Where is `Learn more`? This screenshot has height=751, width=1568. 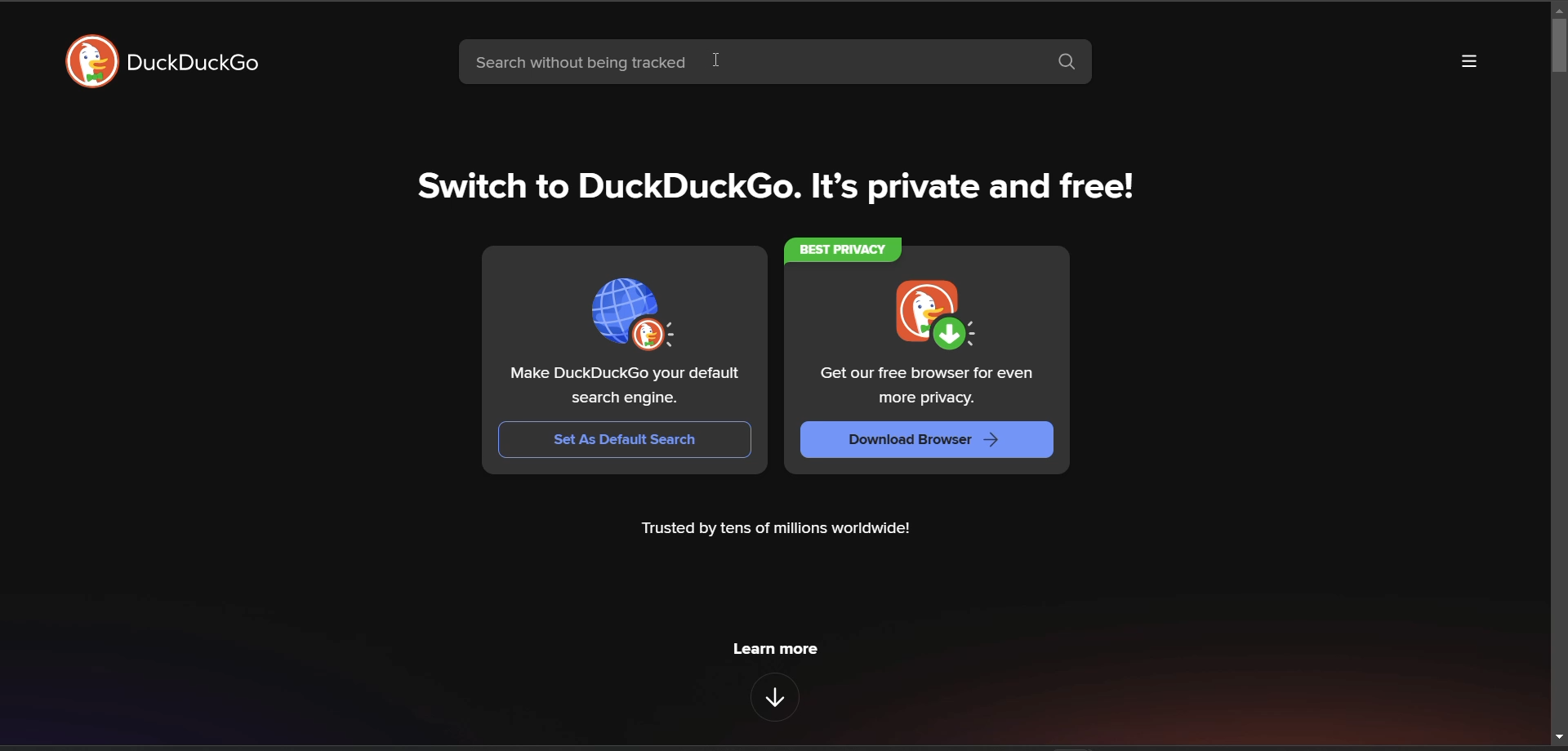 Learn more is located at coordinates (774, 697).